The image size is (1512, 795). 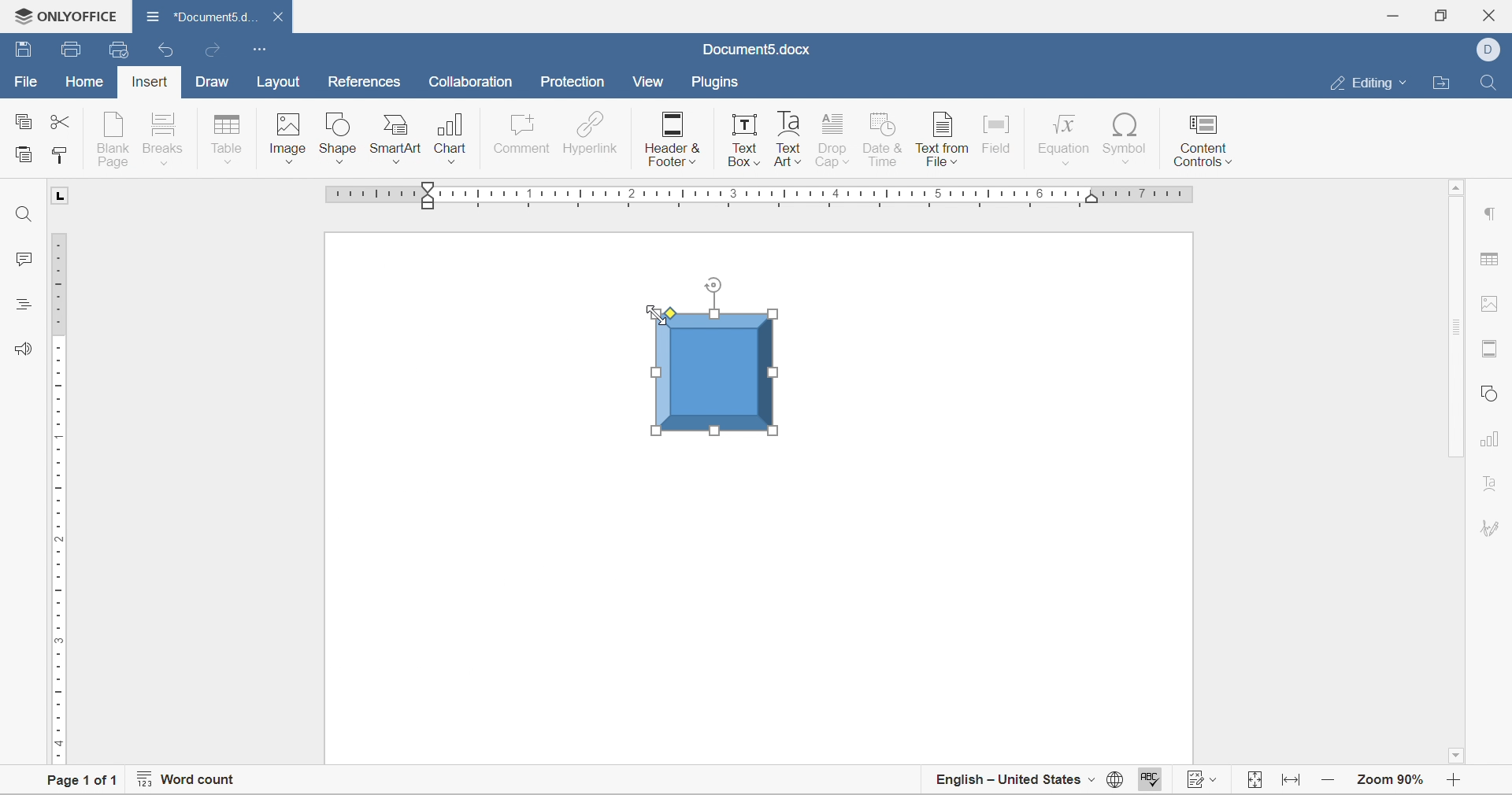 I want to click on header & footer, so click(x=674, y=139).